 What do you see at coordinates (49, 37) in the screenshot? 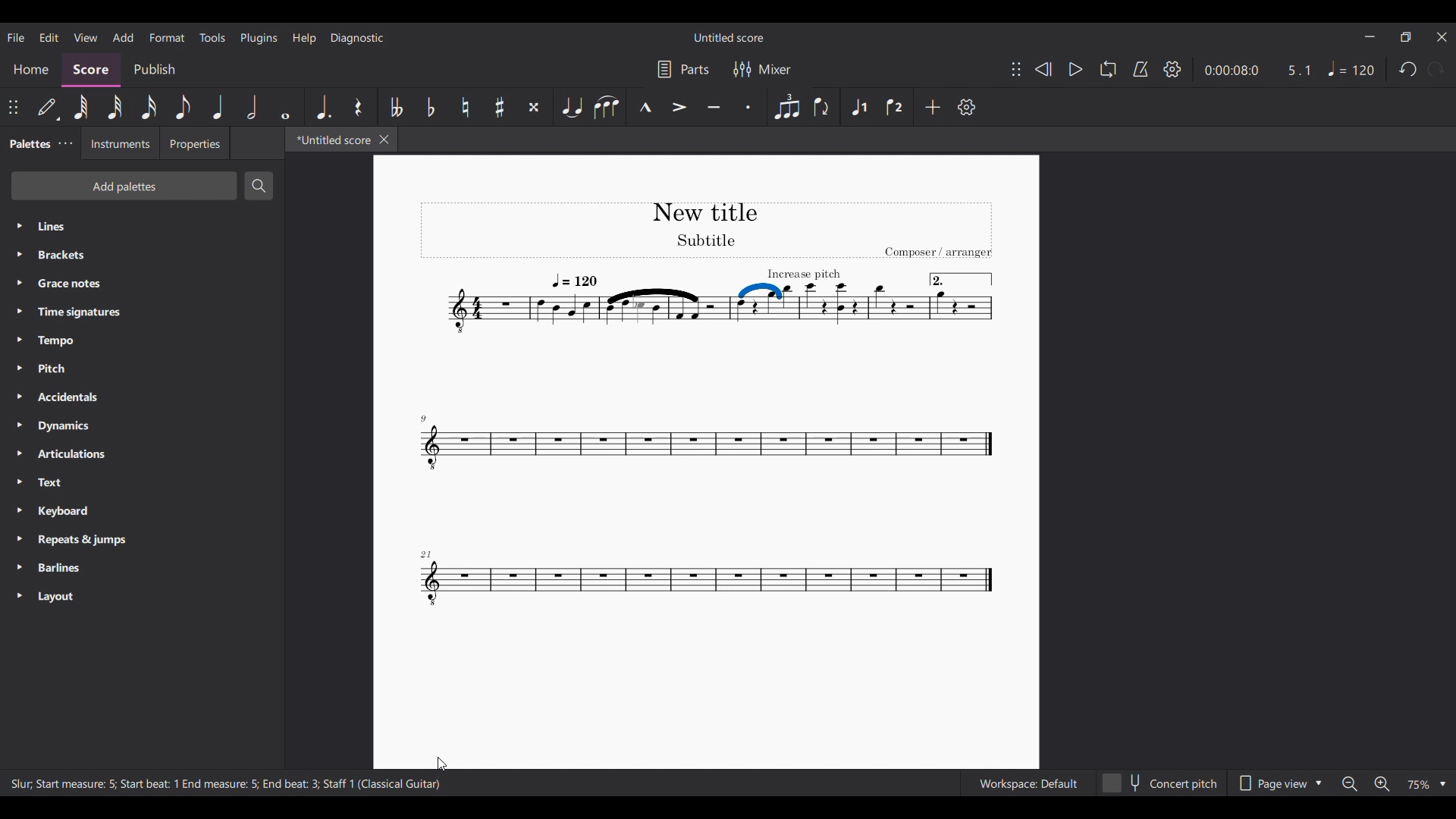
I see `Edit menu` at bounding box center [49, 37].